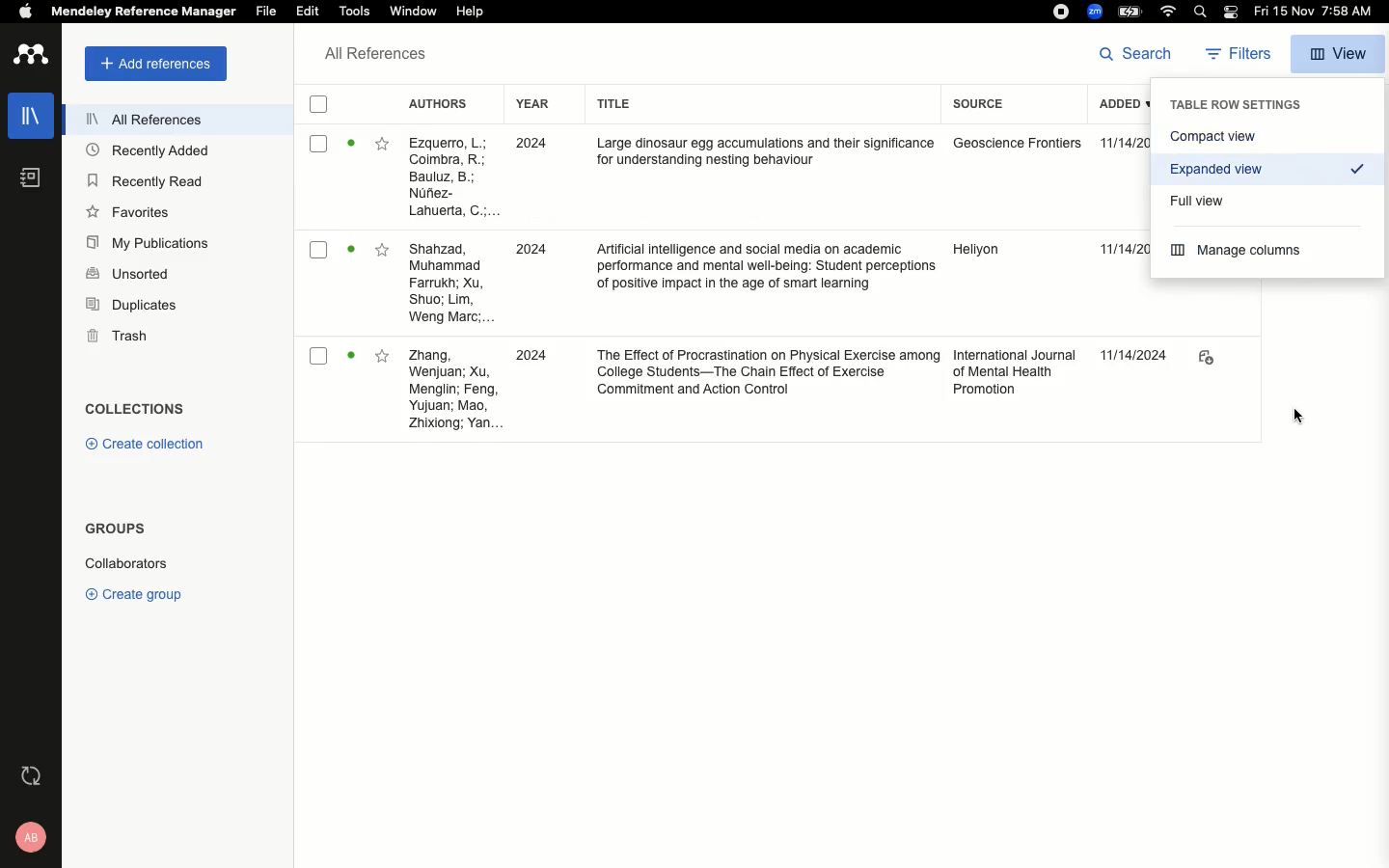 The height and width of the screenshot is (868, 1389). I want to click on cursor, so click(1289, 418).